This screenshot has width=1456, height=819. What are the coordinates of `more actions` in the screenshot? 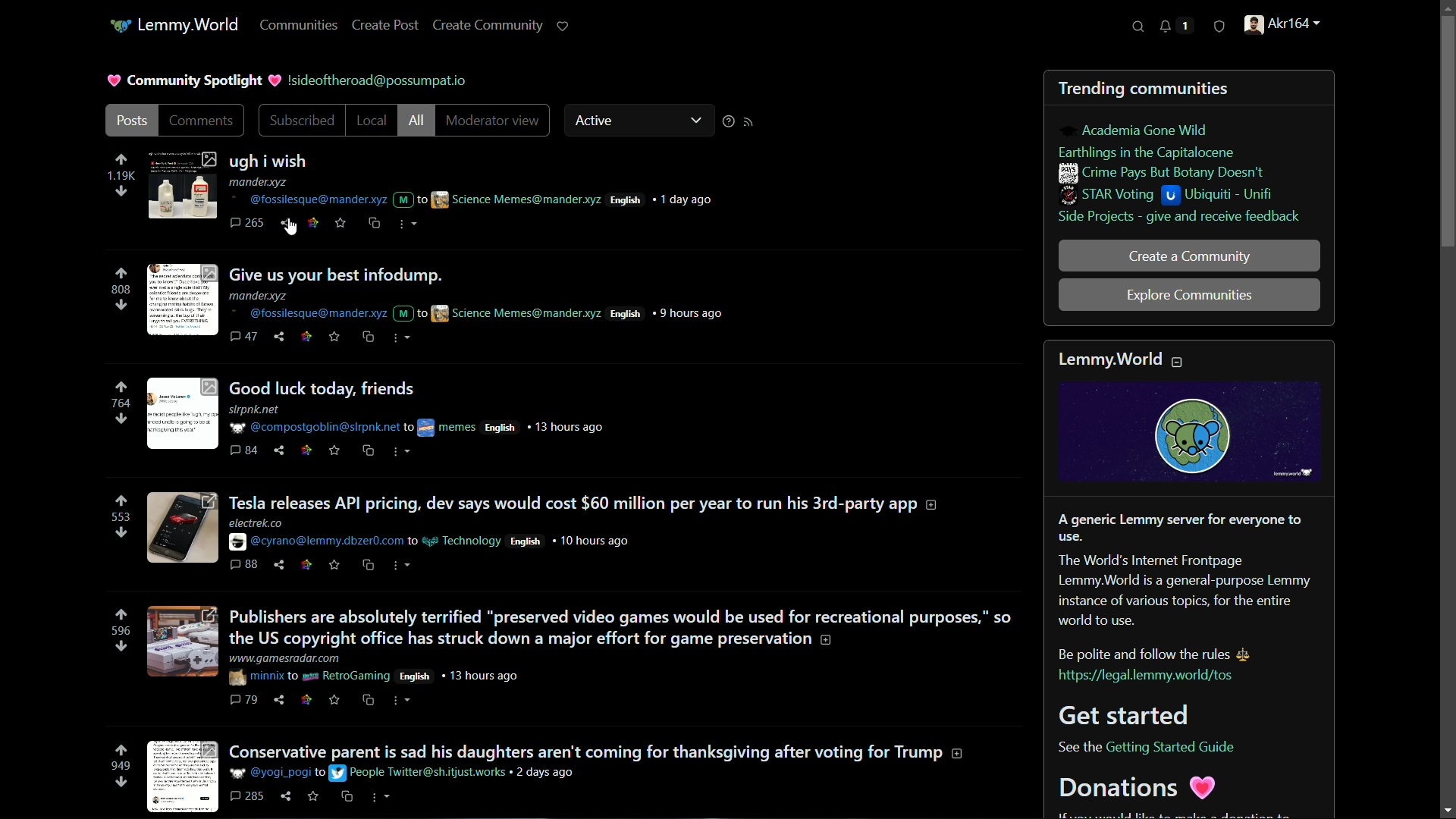 It's located at (405, 225).